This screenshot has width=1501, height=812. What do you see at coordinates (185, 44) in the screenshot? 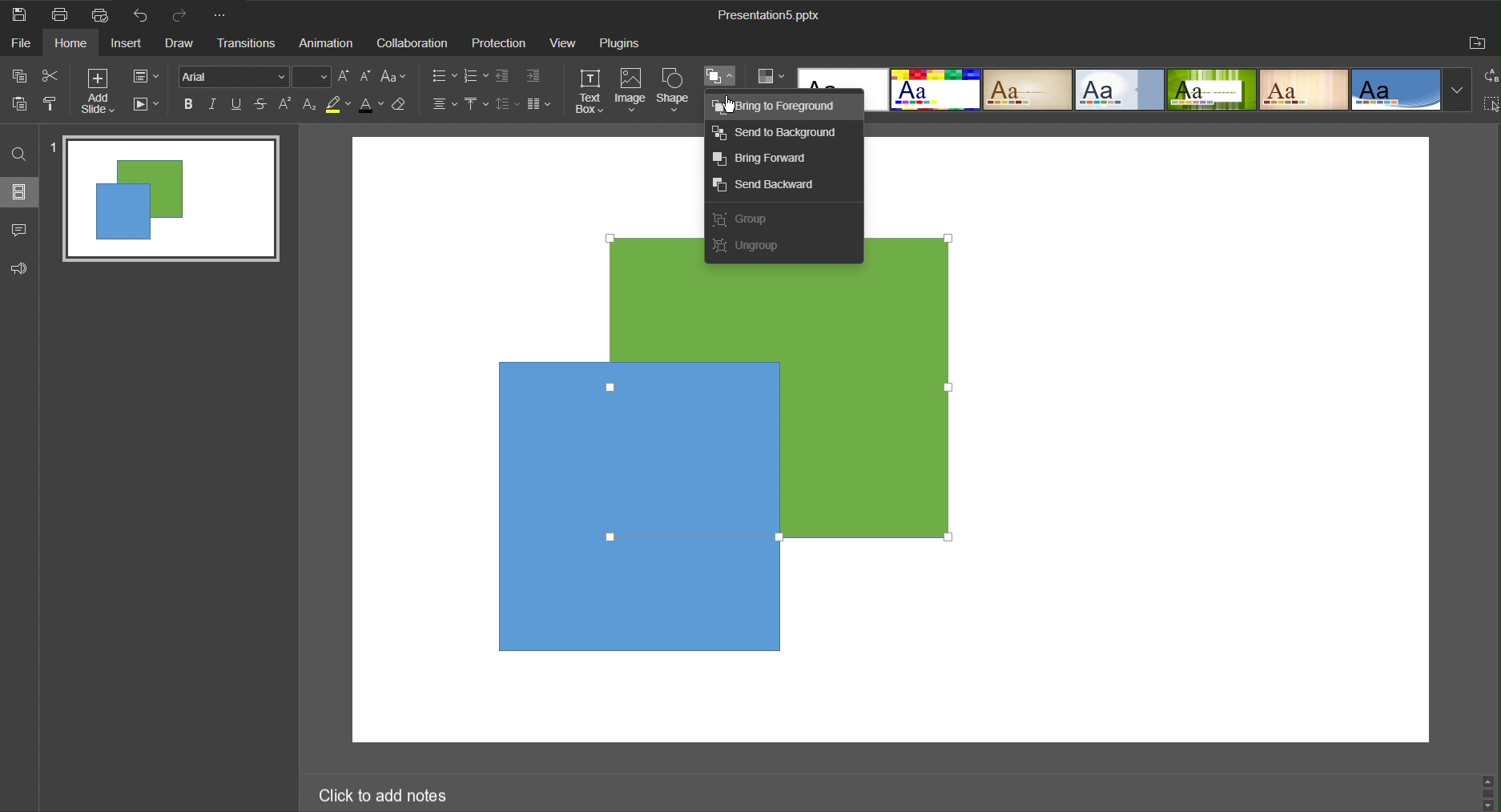
I see `Draw` at bounding box center [185, 44].